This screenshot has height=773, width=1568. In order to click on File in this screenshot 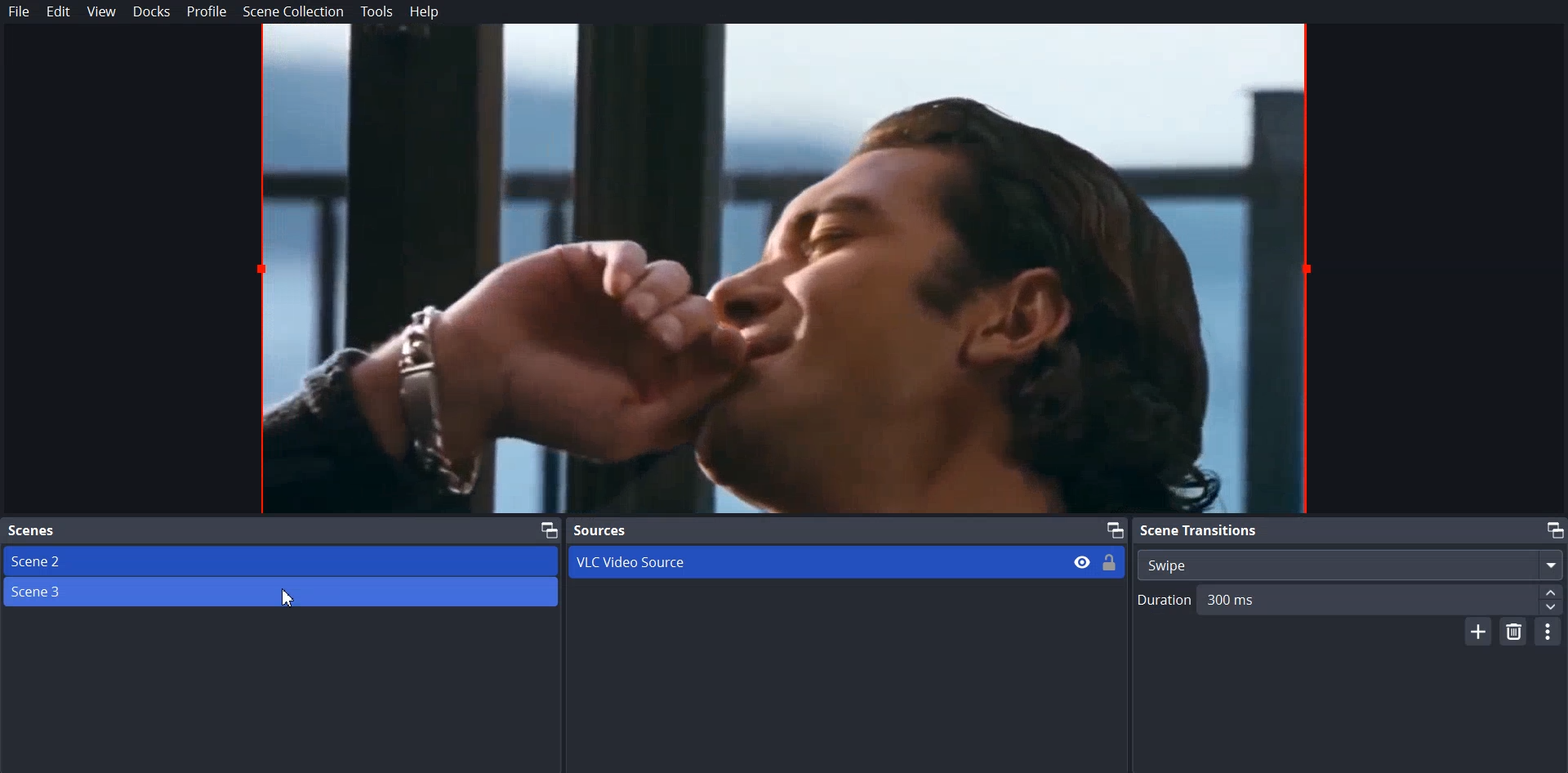, I will do `click(20, 11)`.